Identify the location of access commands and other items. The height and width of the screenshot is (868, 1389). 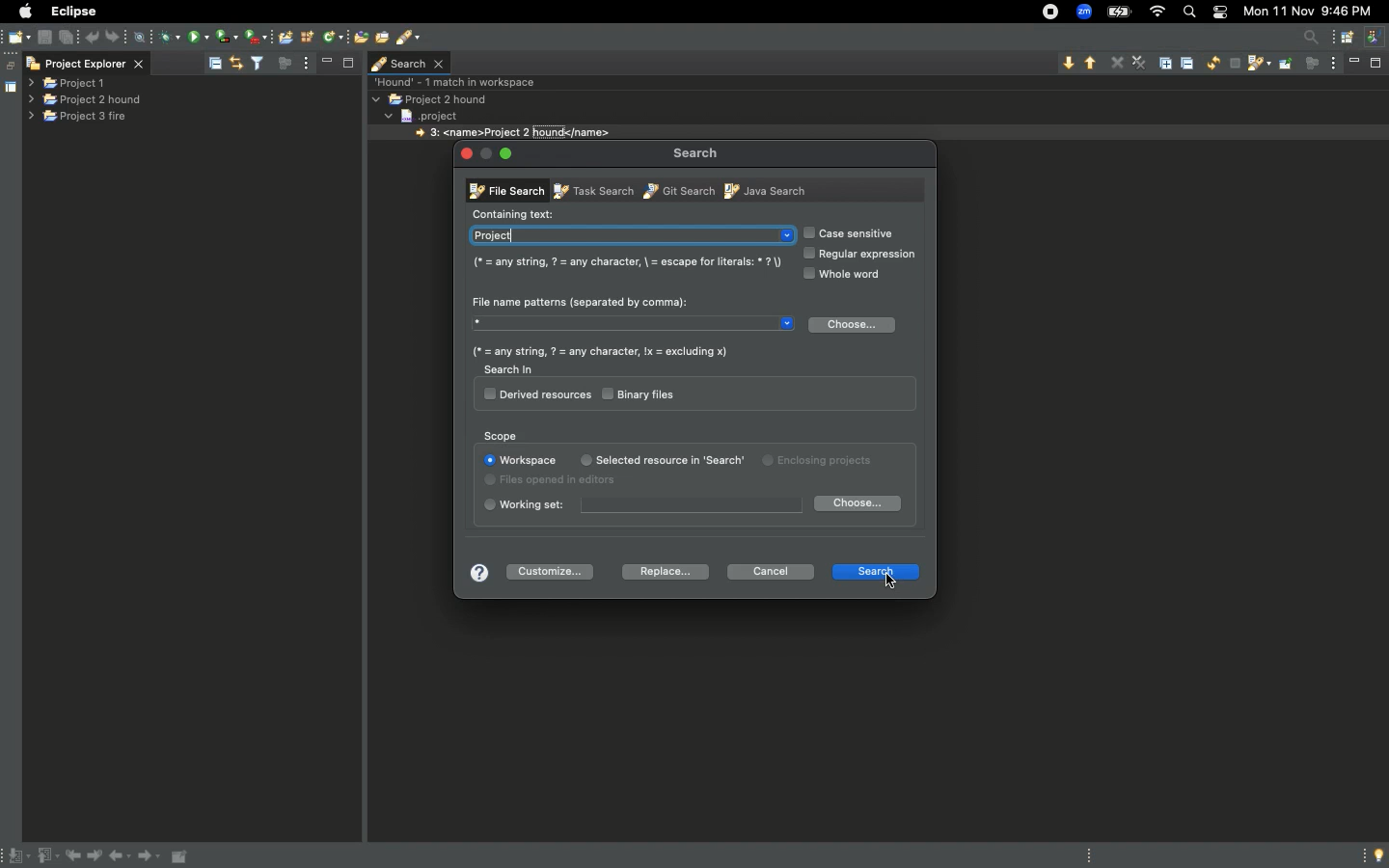
(1314, 37).